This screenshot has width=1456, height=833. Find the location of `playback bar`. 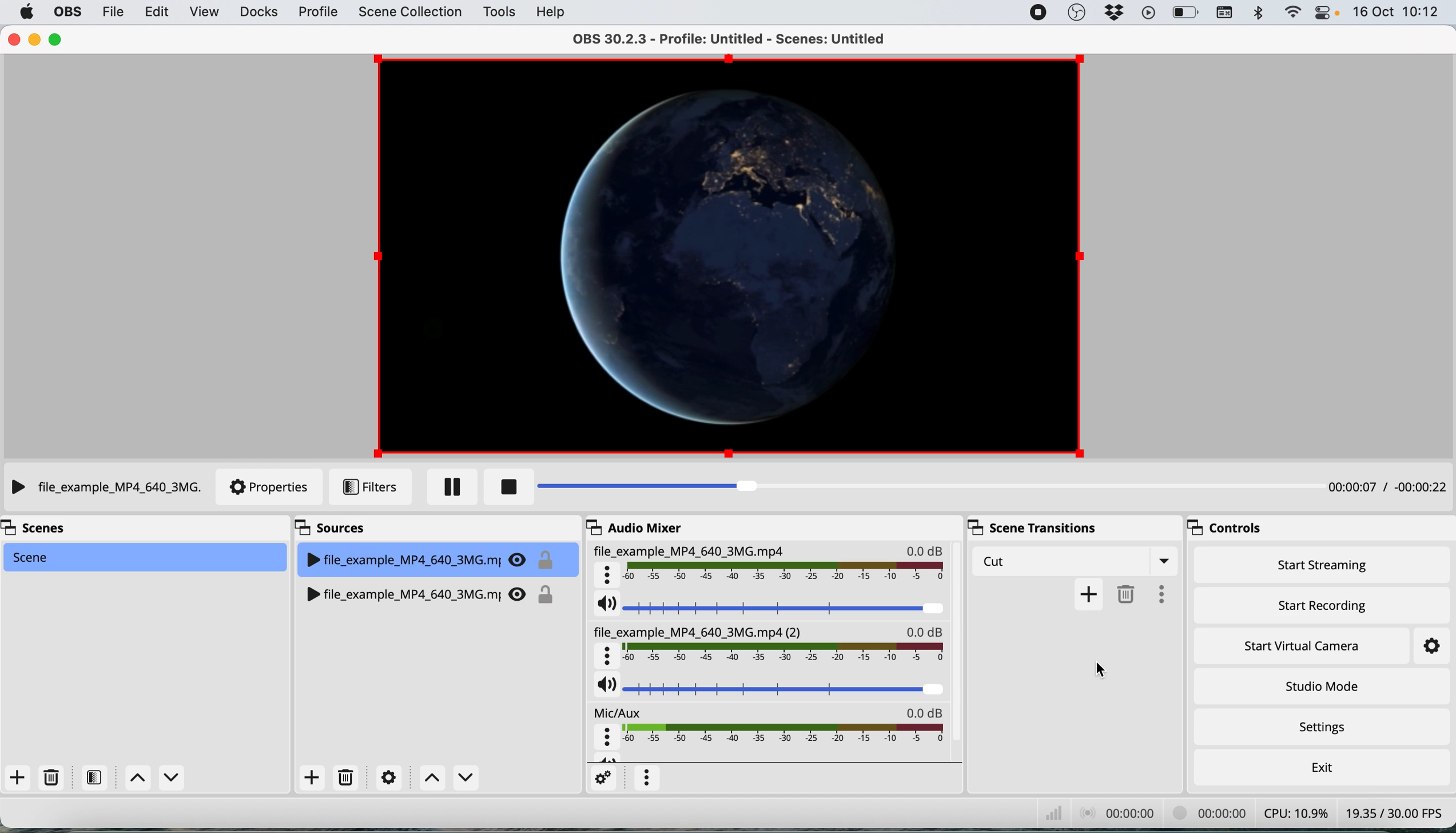

playback bar is located at coordinates (917, 486).